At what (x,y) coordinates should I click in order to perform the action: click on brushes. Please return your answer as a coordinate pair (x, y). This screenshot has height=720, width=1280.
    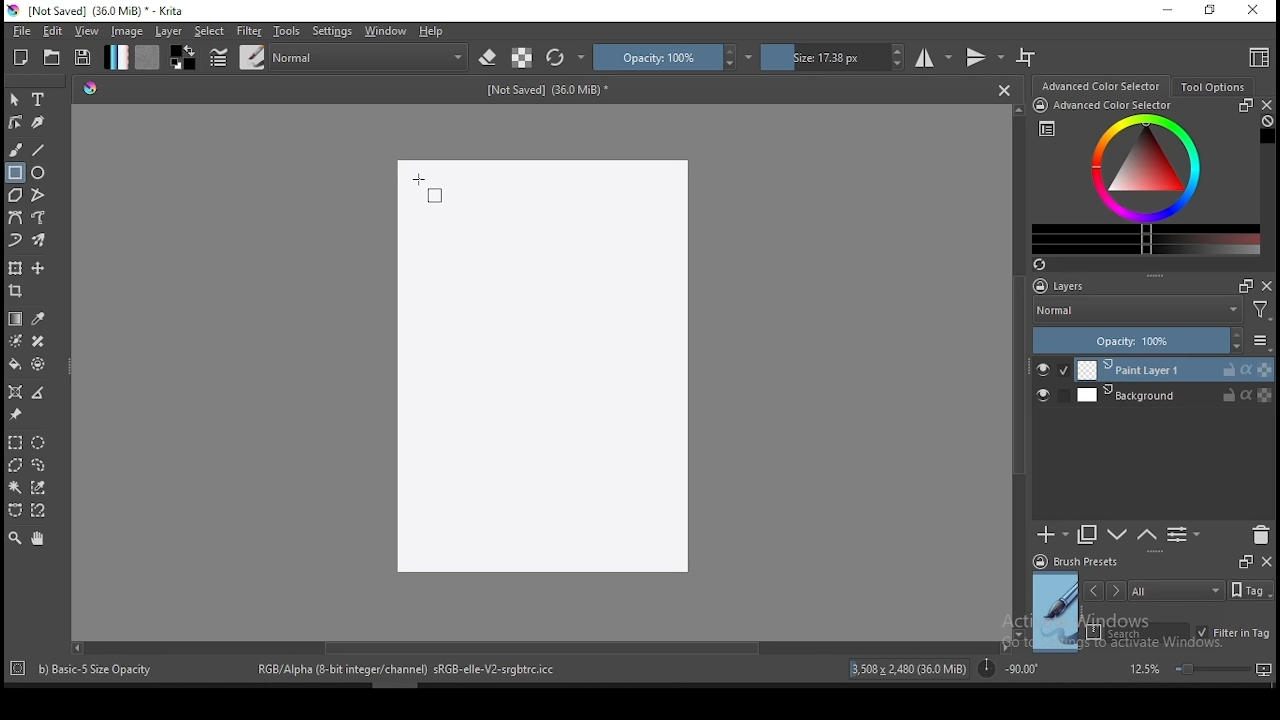
    Looking at the image, I should click on (252, 57).